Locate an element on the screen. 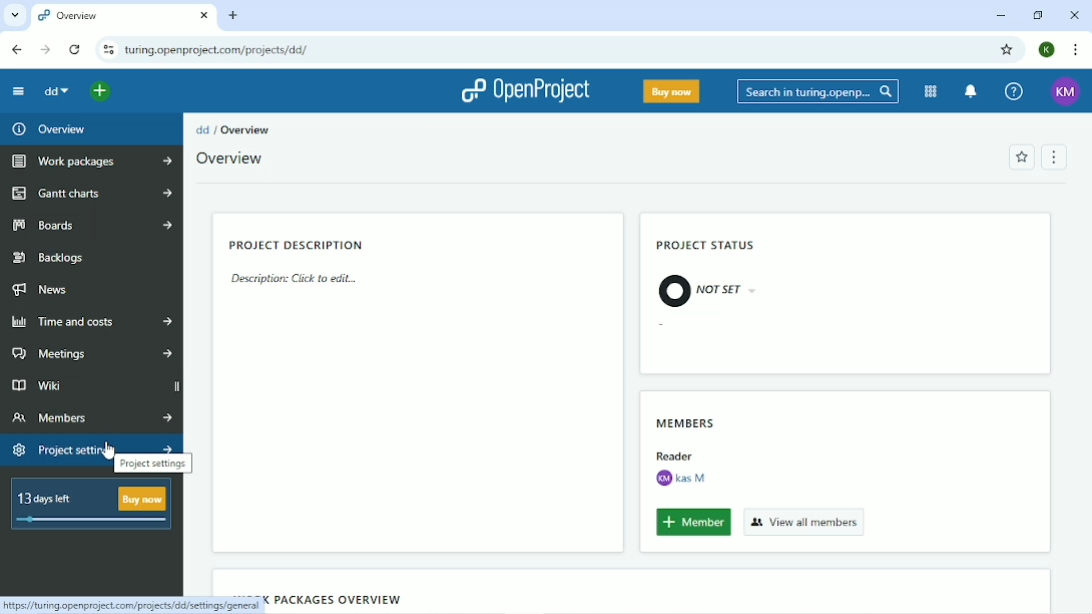 The height and width of the screenshot is (614, 1092). Restore down is located at coordinates (1038, 16).